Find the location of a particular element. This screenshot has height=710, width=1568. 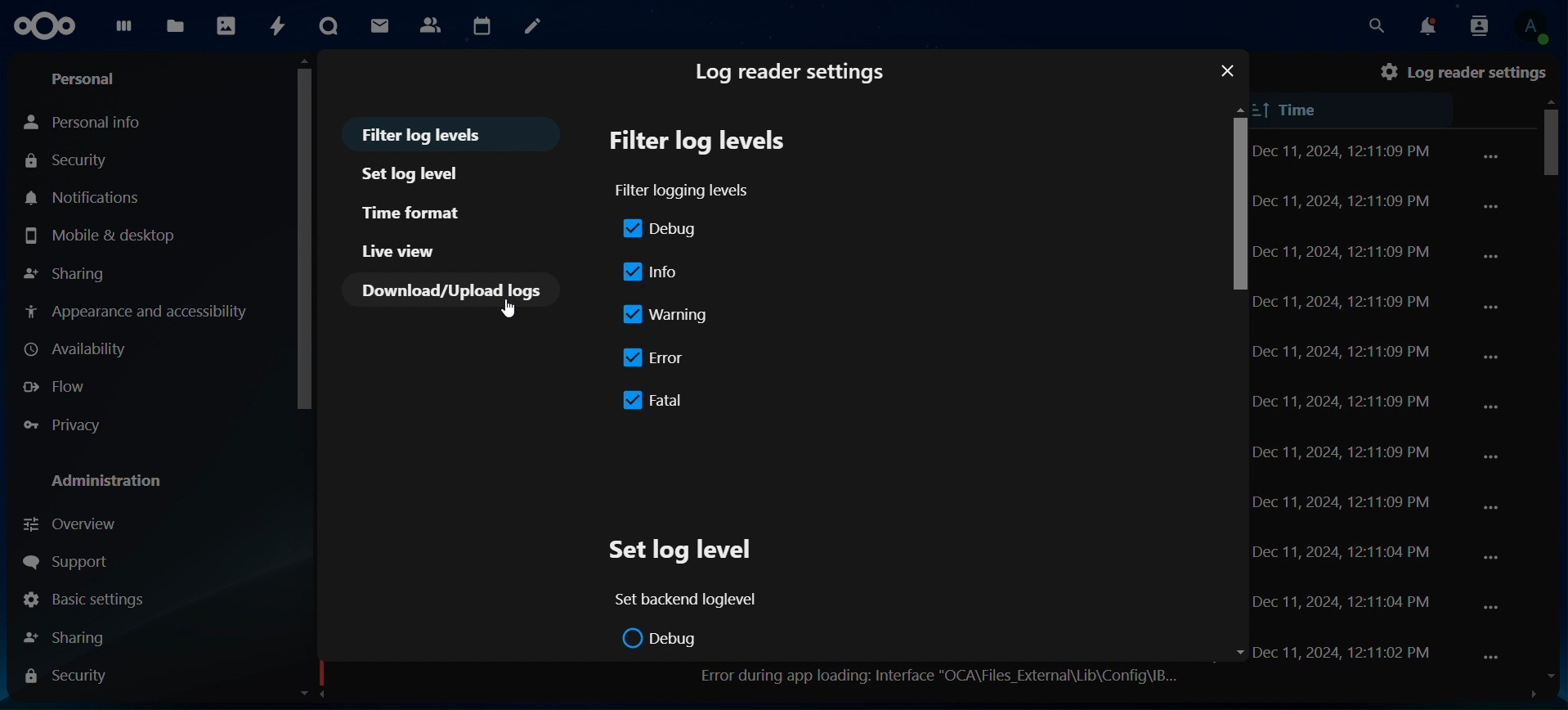

filter log levels is located at coordinates (706, 138).